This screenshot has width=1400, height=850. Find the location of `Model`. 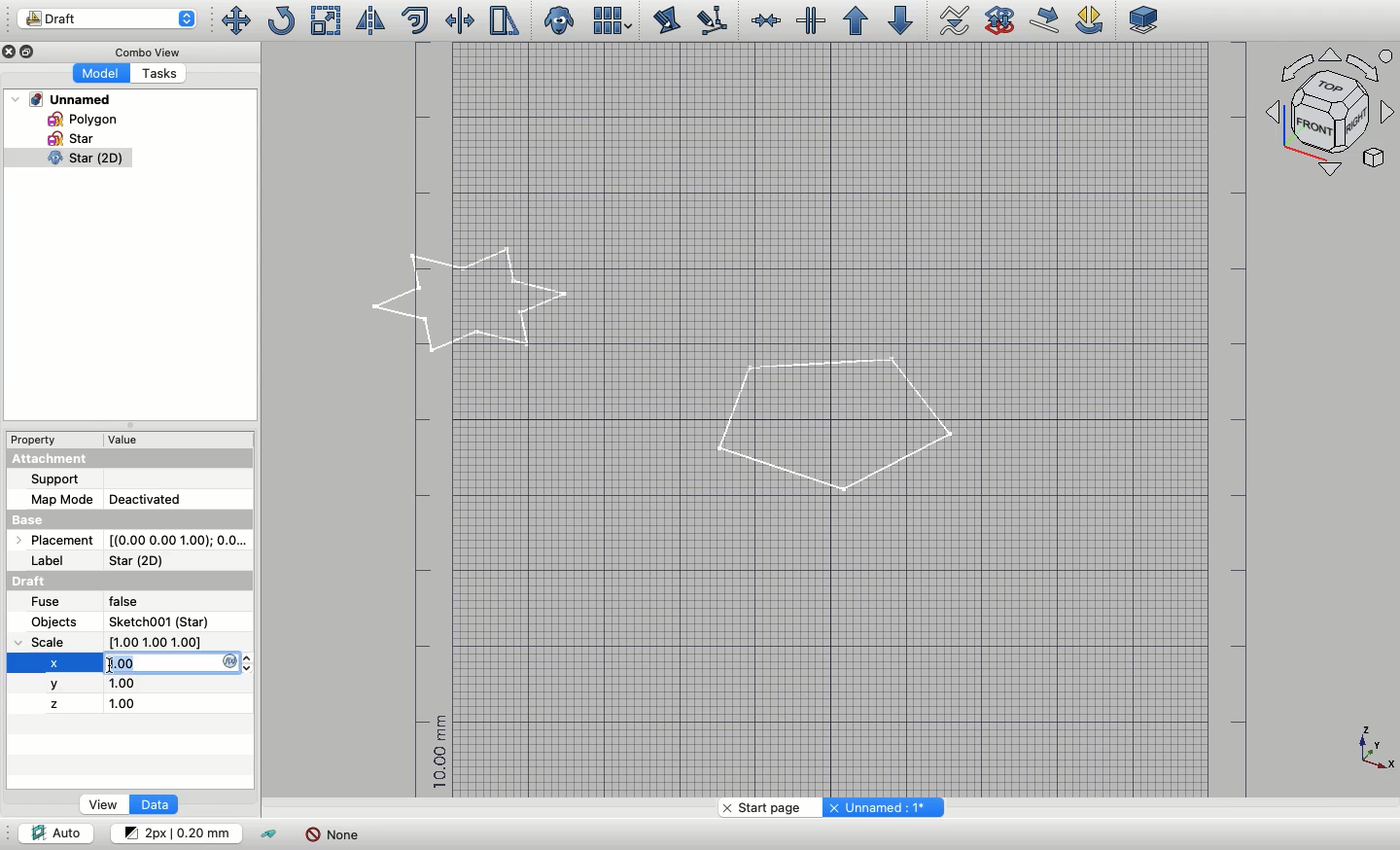

Model is located at coordinates (99, 74).